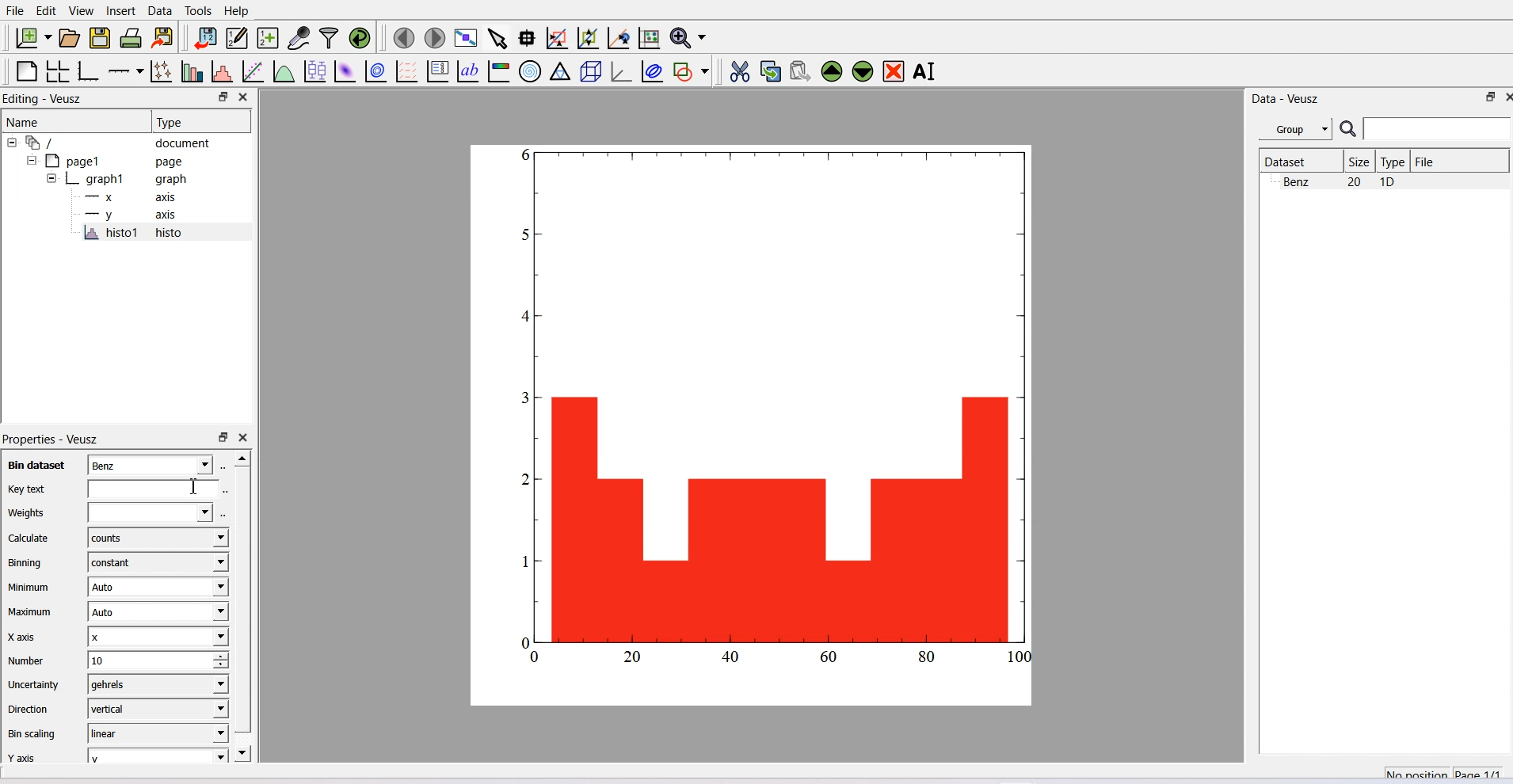 The width and height of the screenshot is (1513, 784). I want to click on Cut the selected widget, so click(741, 71).